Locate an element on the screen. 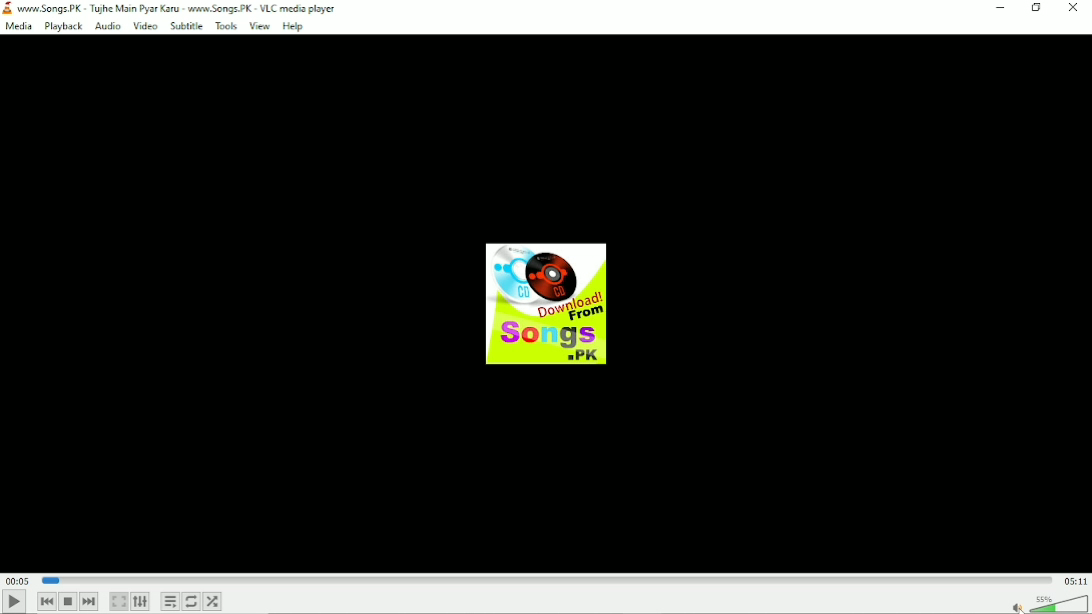 Image resolution: width=1092 pixels, height=614 pixels. Playback is located at coordinates (61, 27).